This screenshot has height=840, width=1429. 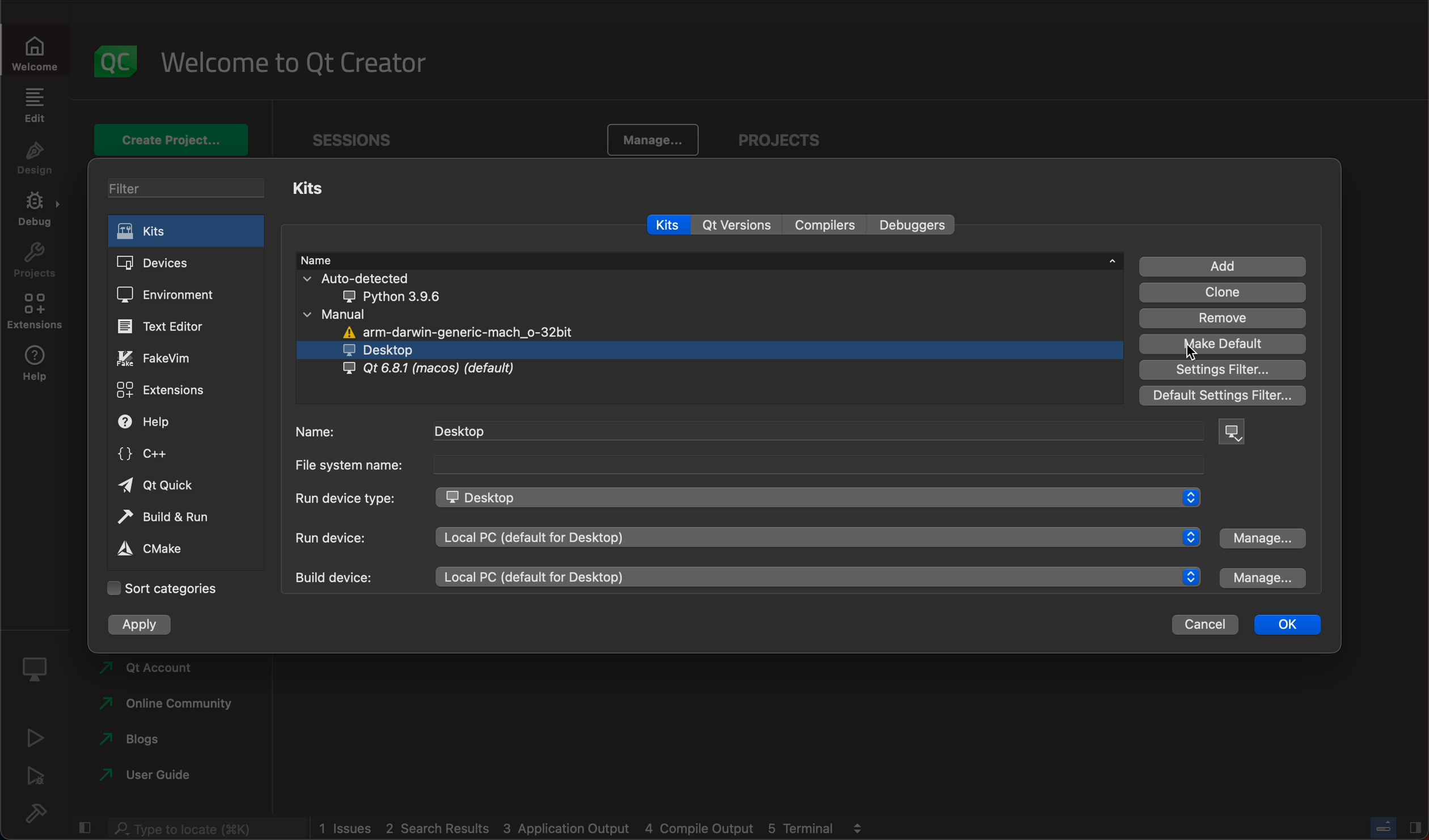 What do you see at coordinates (740, 224) in the screenshot?
I see `qt versions` at bounding box center [740, 224].